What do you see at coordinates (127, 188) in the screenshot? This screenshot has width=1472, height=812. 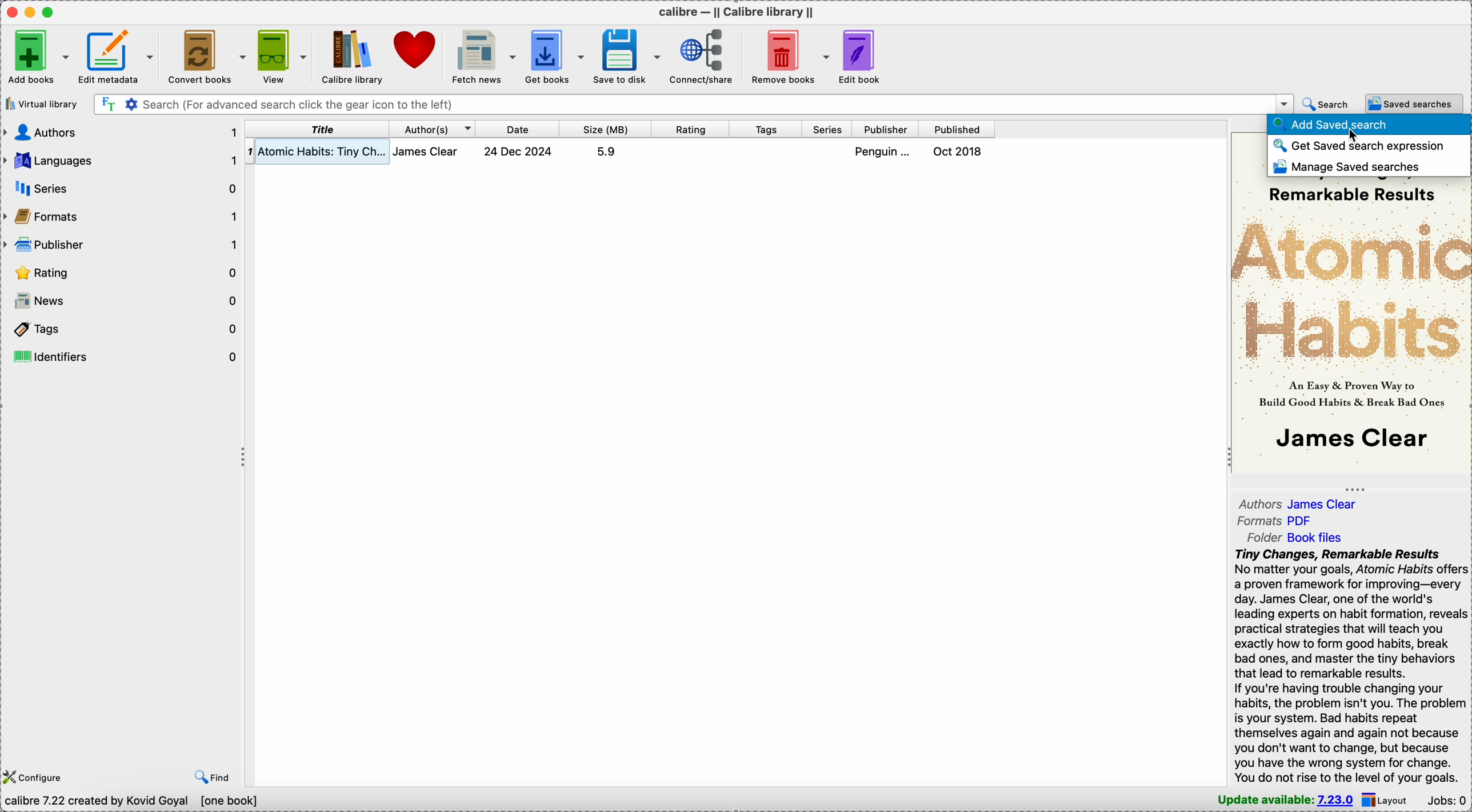 I see `series` at bounding box center [127, 188].